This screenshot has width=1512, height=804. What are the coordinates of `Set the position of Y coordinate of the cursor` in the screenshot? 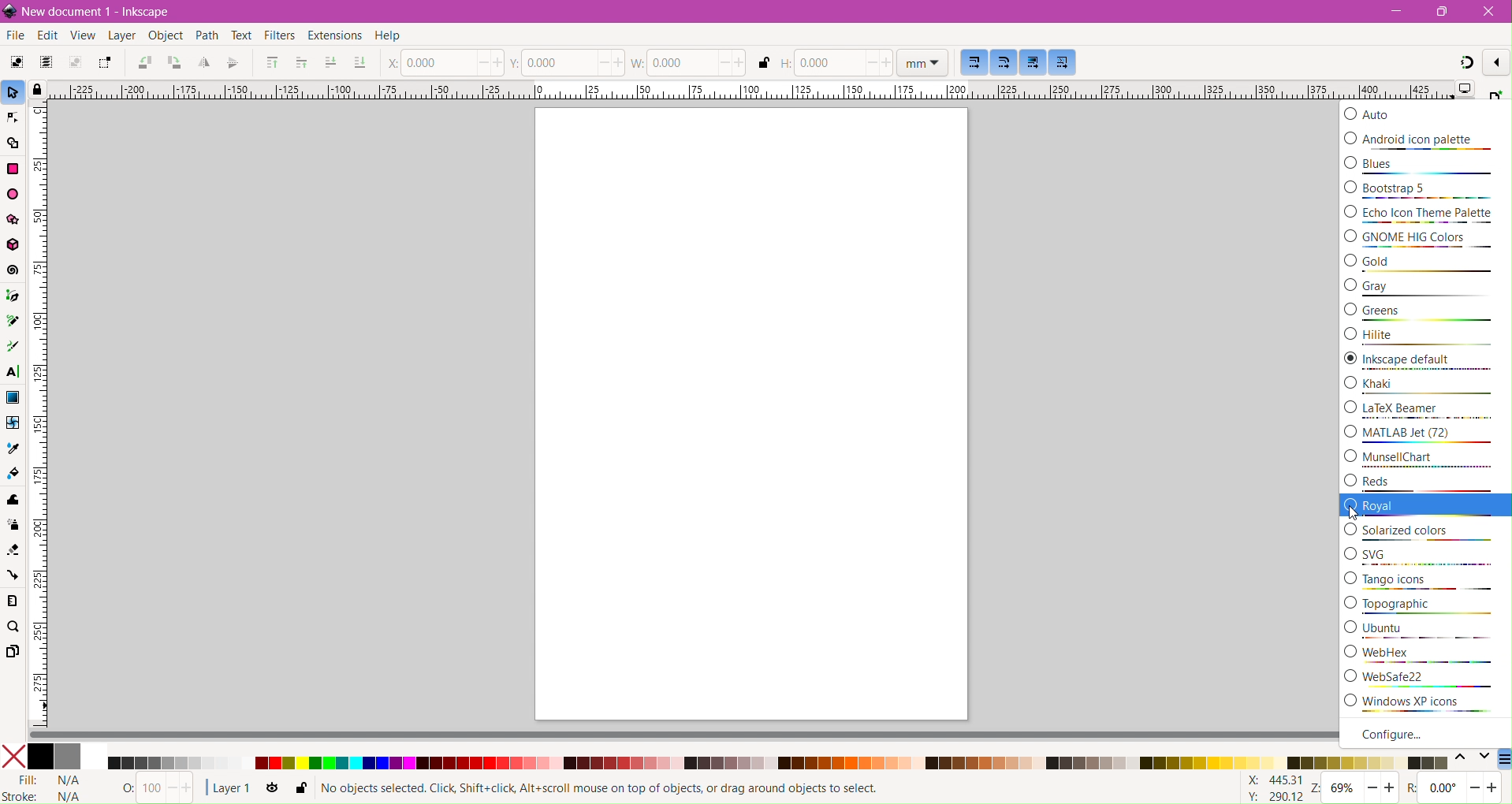 It's located at (568, 61).